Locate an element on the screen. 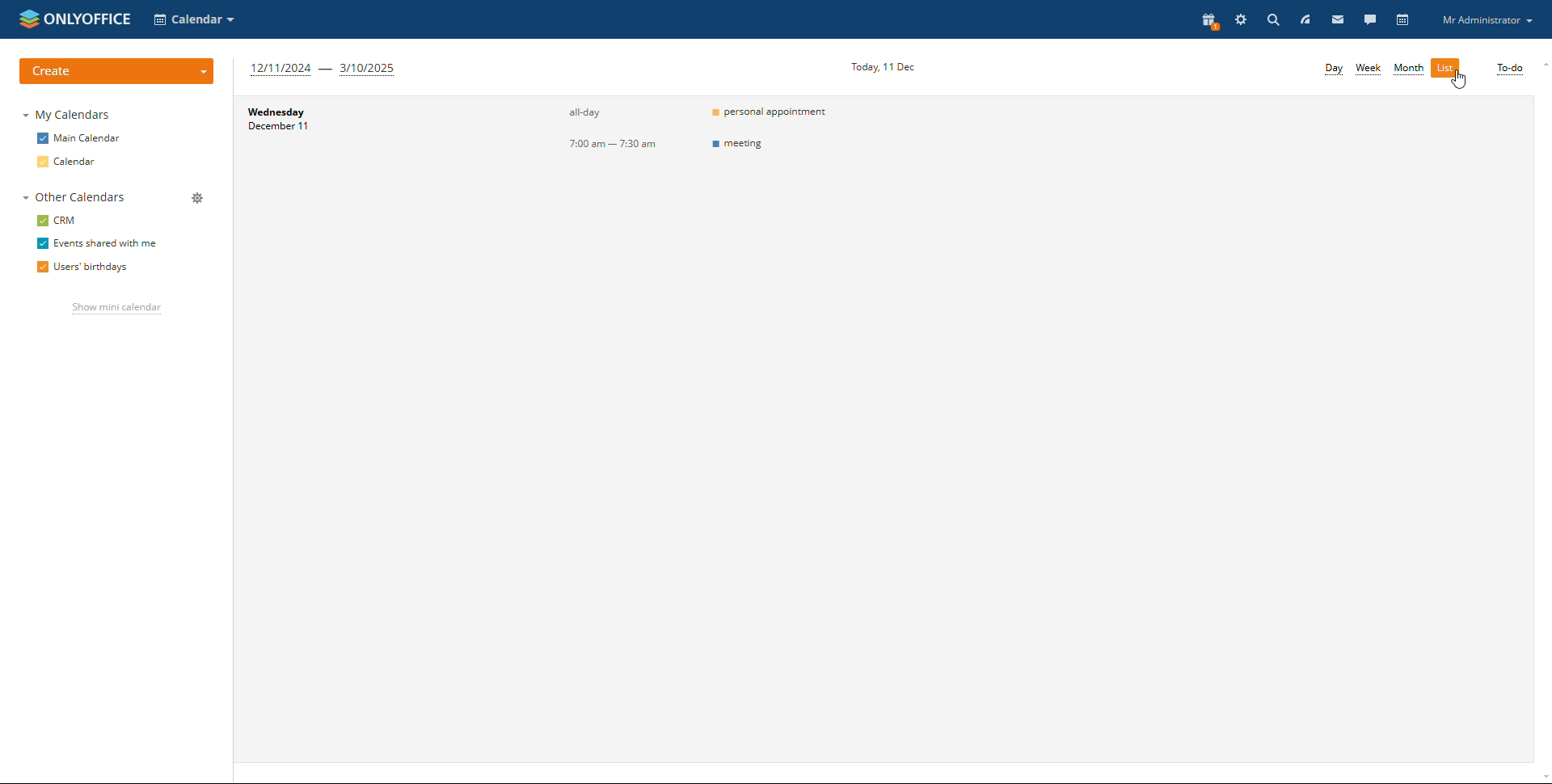 This screenshot has width=1552, height=784. week view is located at coordinates (1367, 69).